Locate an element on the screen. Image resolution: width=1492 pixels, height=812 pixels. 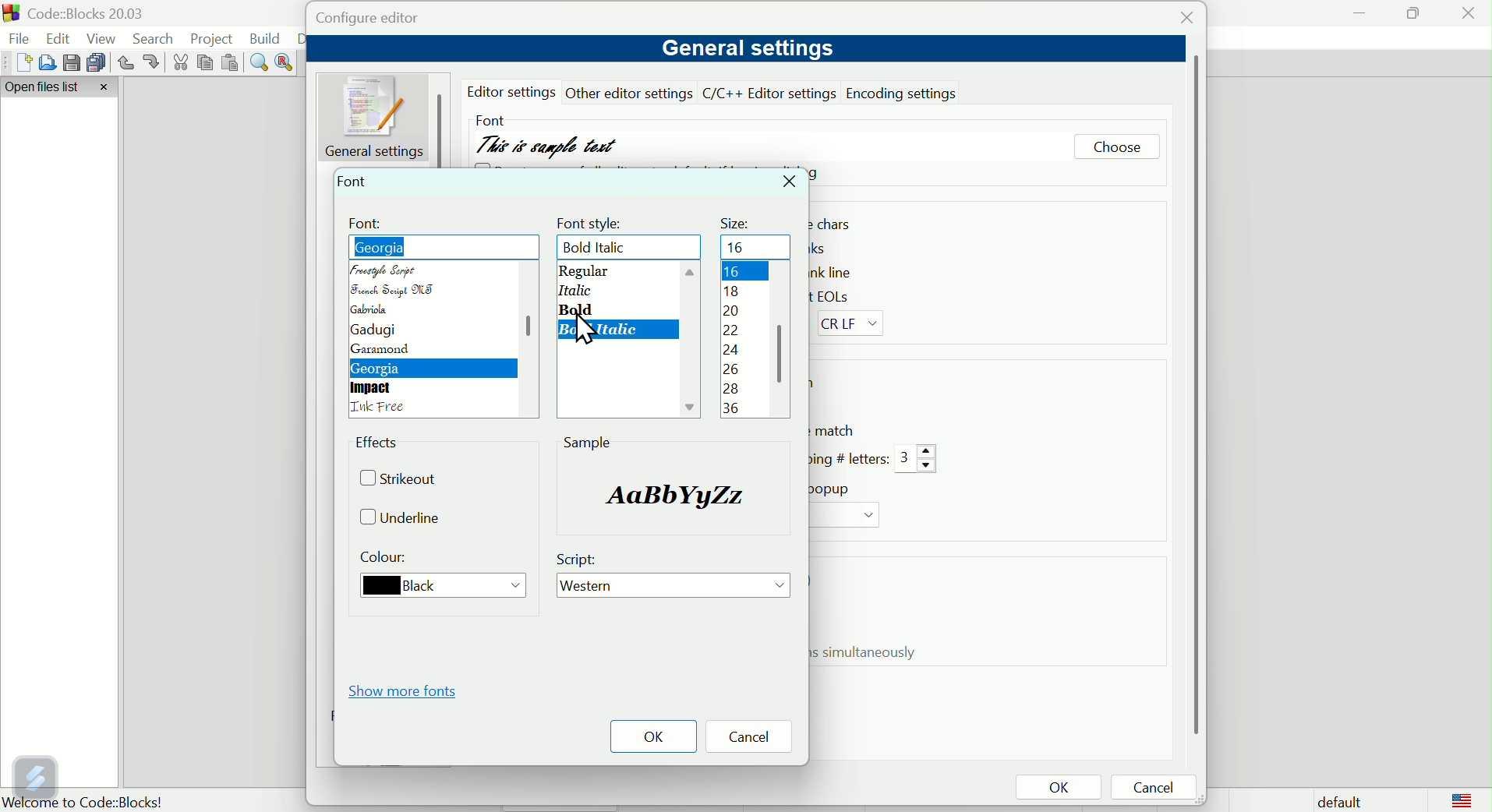
Save multiple is located at coordinates (97, 62).